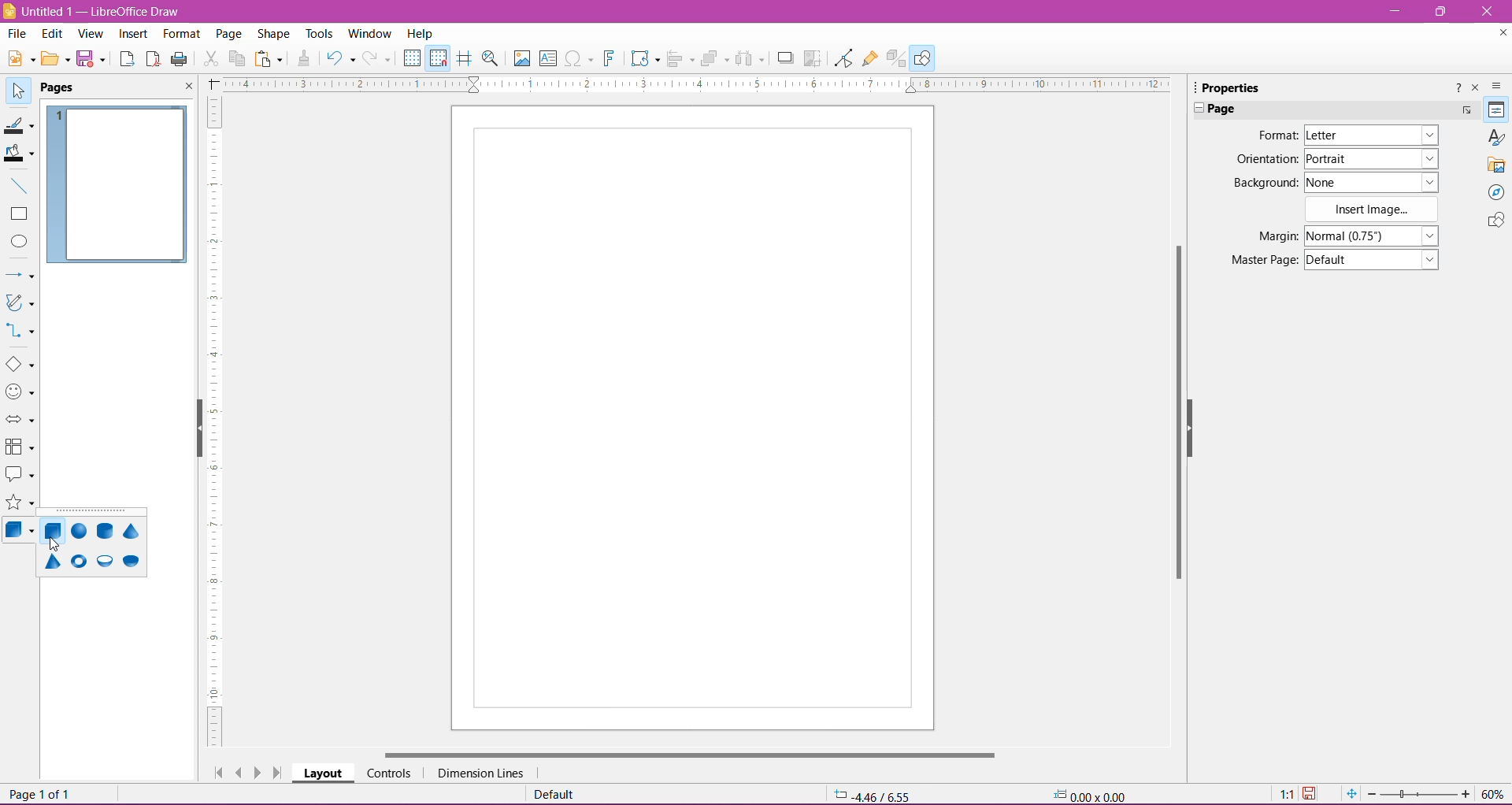 This screenshot has height=805, width=1512. I want to click on Scroll to next page, so click(260, 772).